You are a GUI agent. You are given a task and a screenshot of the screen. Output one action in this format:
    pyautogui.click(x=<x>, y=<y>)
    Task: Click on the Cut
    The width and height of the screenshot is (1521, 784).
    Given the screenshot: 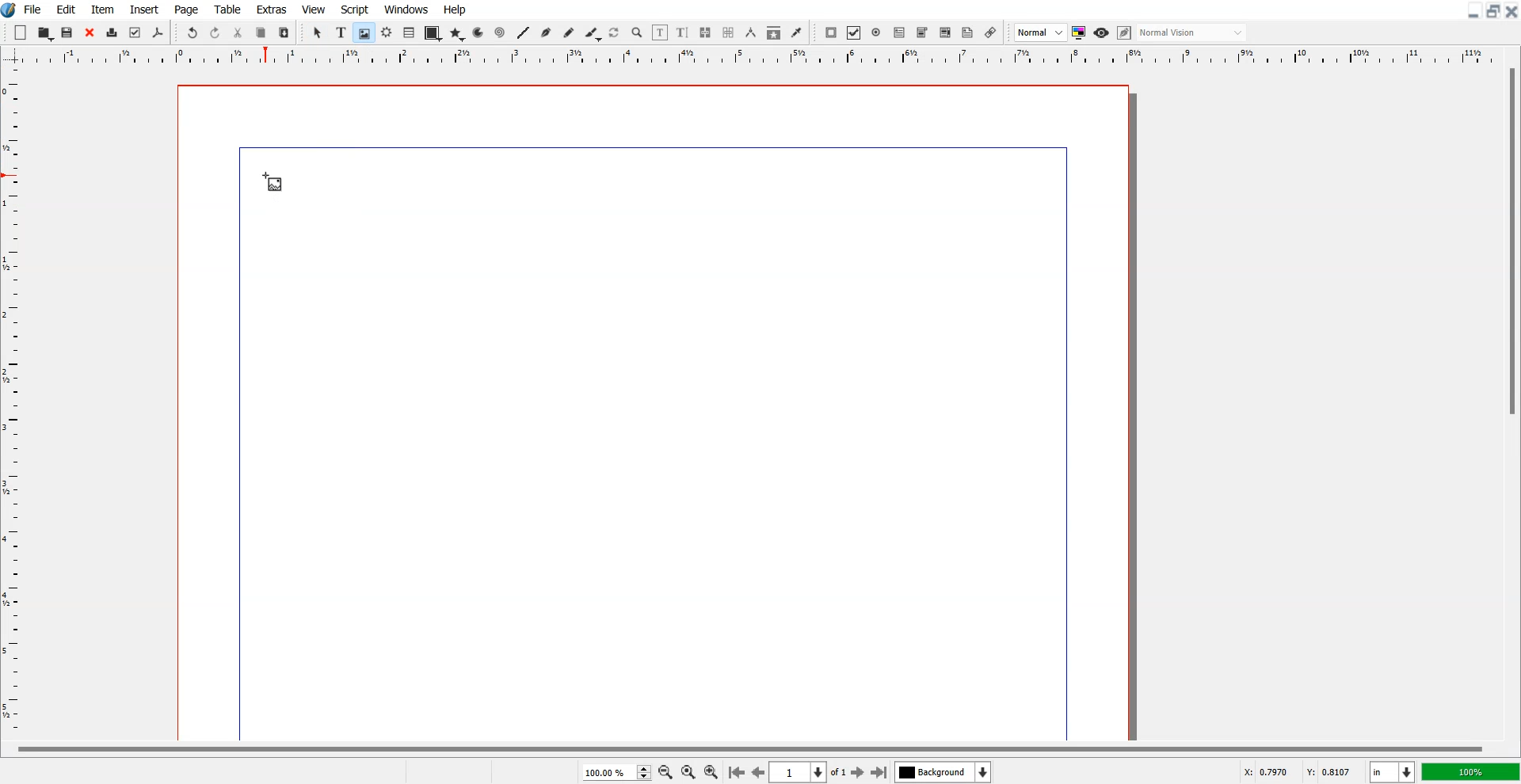 What is the action you would take?
    pyautogui.click(x=238, y=32)
    